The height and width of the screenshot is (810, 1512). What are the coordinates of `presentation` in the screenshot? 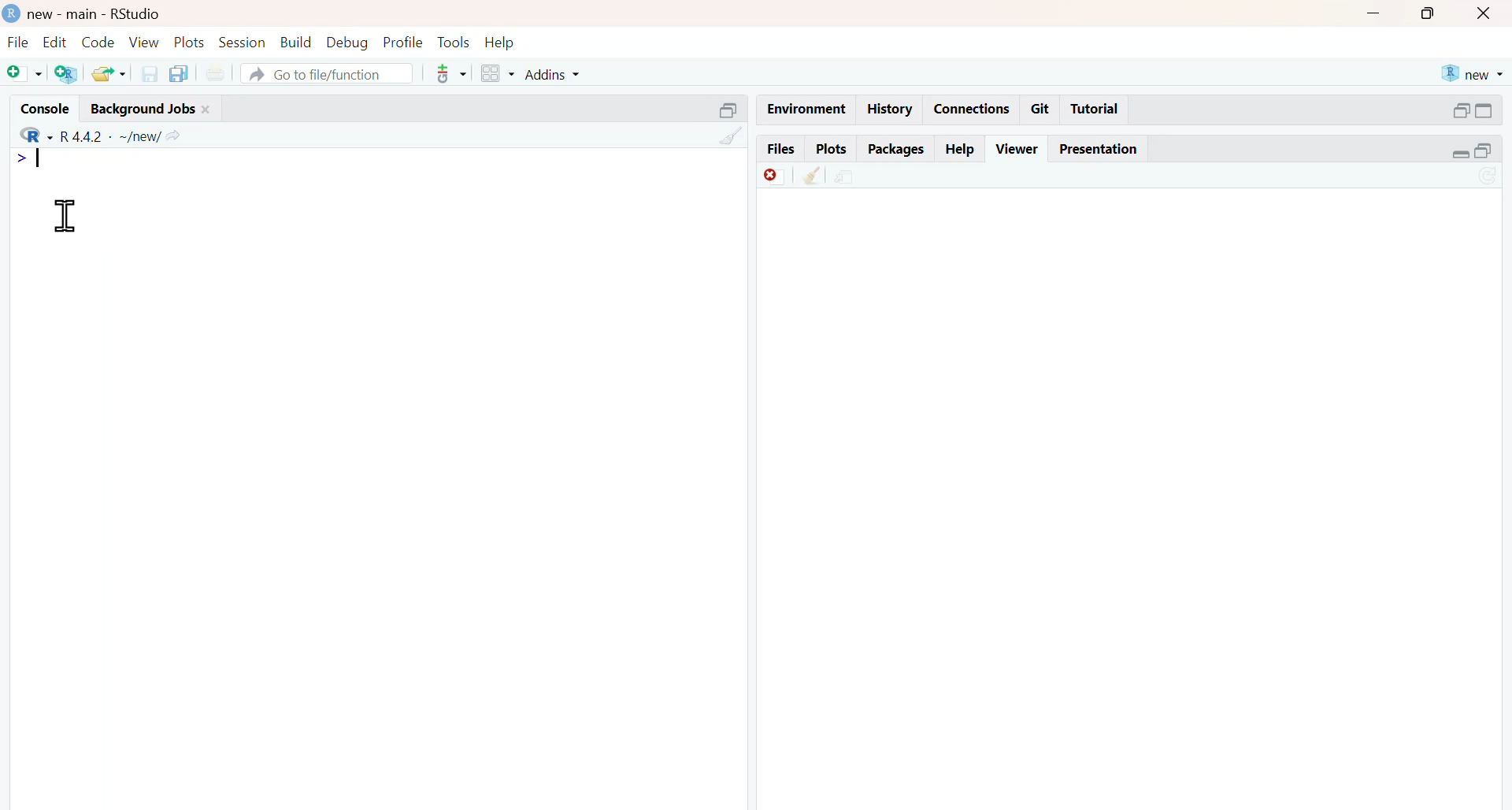 It's located at (1096, 149).